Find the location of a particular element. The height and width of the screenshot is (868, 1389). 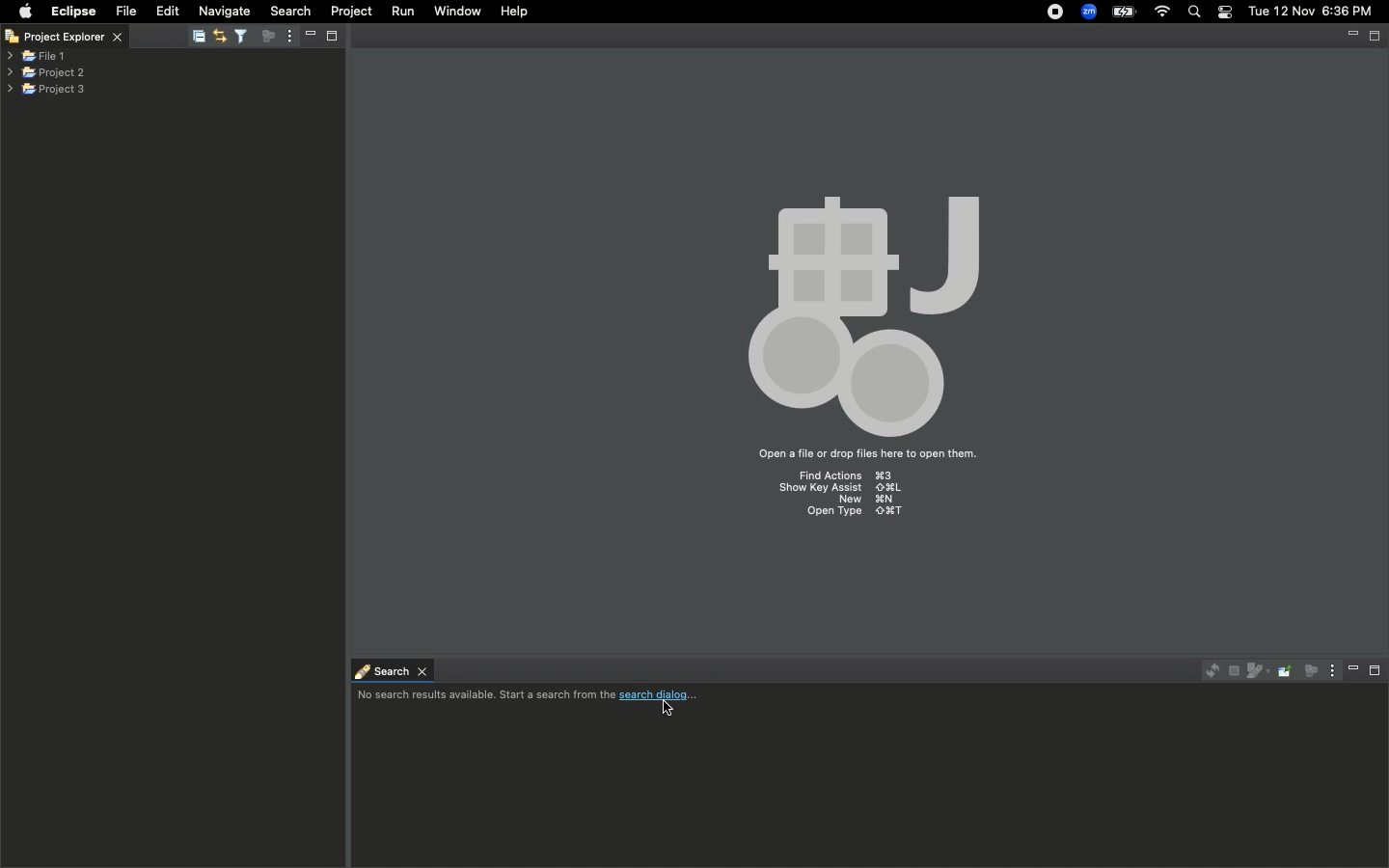

minimize is located at coordinates (309, 35).